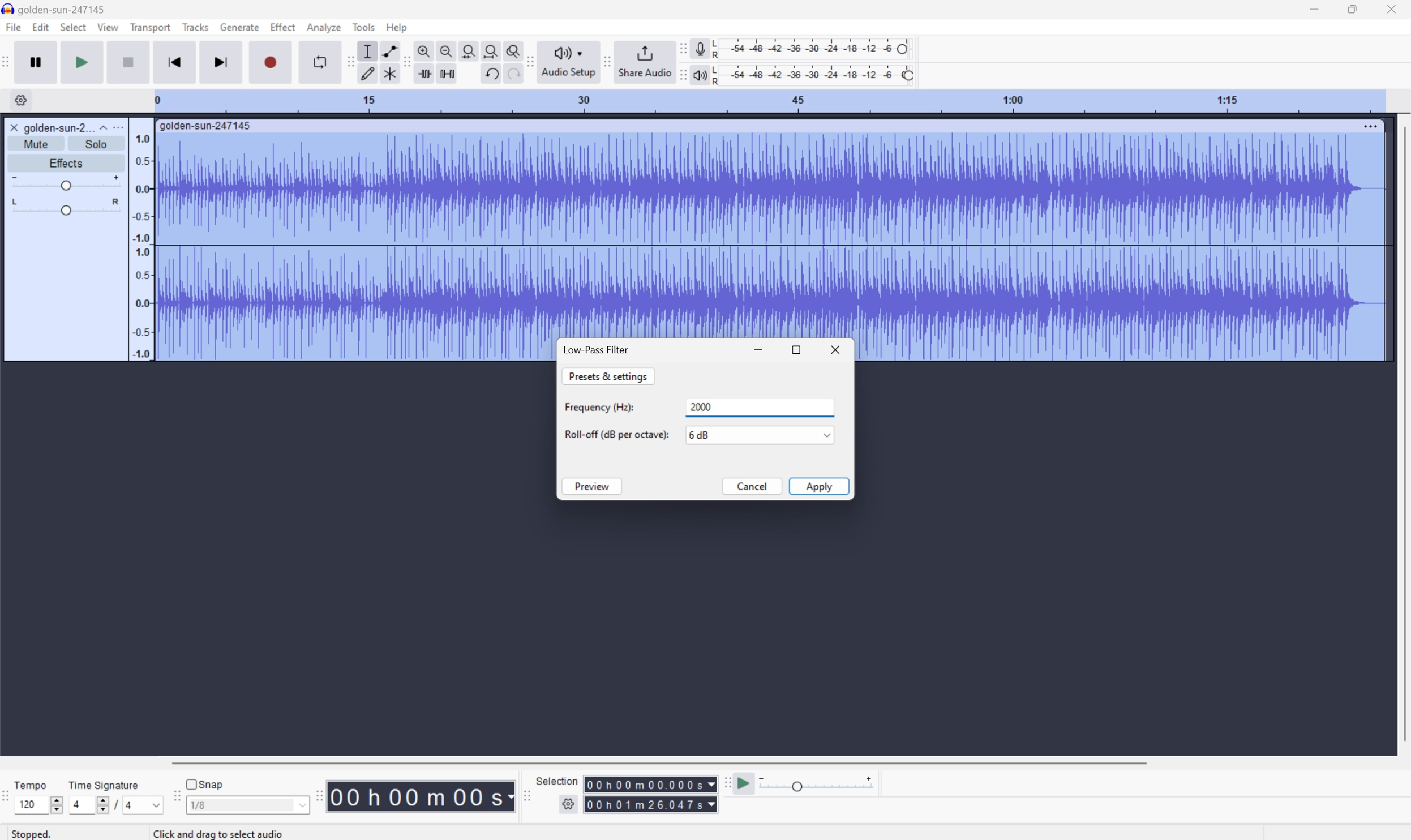 The image size is (1411, 840). I want to click on Frequencies, so click(142, 246).